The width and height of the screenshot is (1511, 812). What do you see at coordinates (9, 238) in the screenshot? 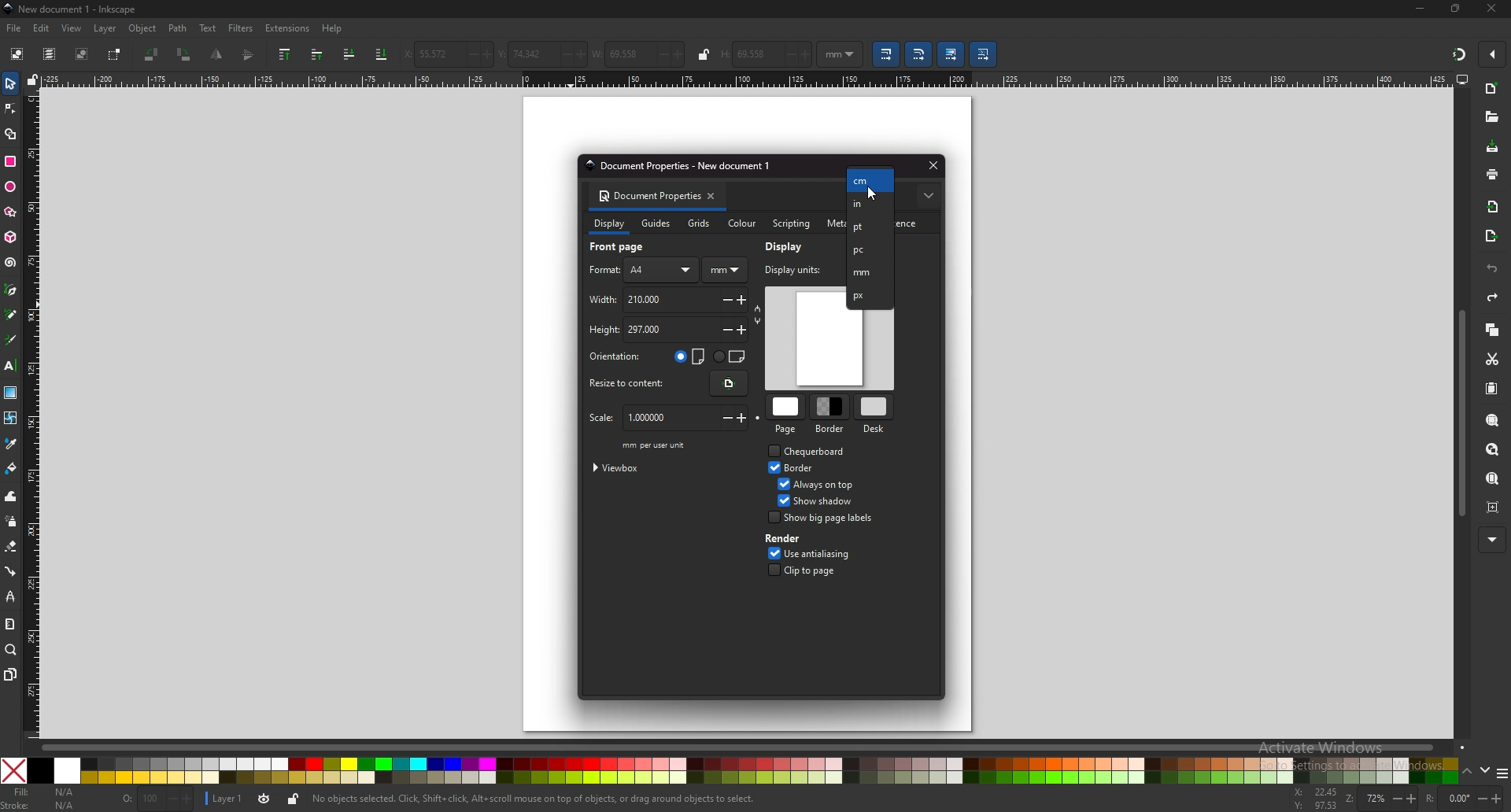
I see `3d box` at bounding box center [9, 238].